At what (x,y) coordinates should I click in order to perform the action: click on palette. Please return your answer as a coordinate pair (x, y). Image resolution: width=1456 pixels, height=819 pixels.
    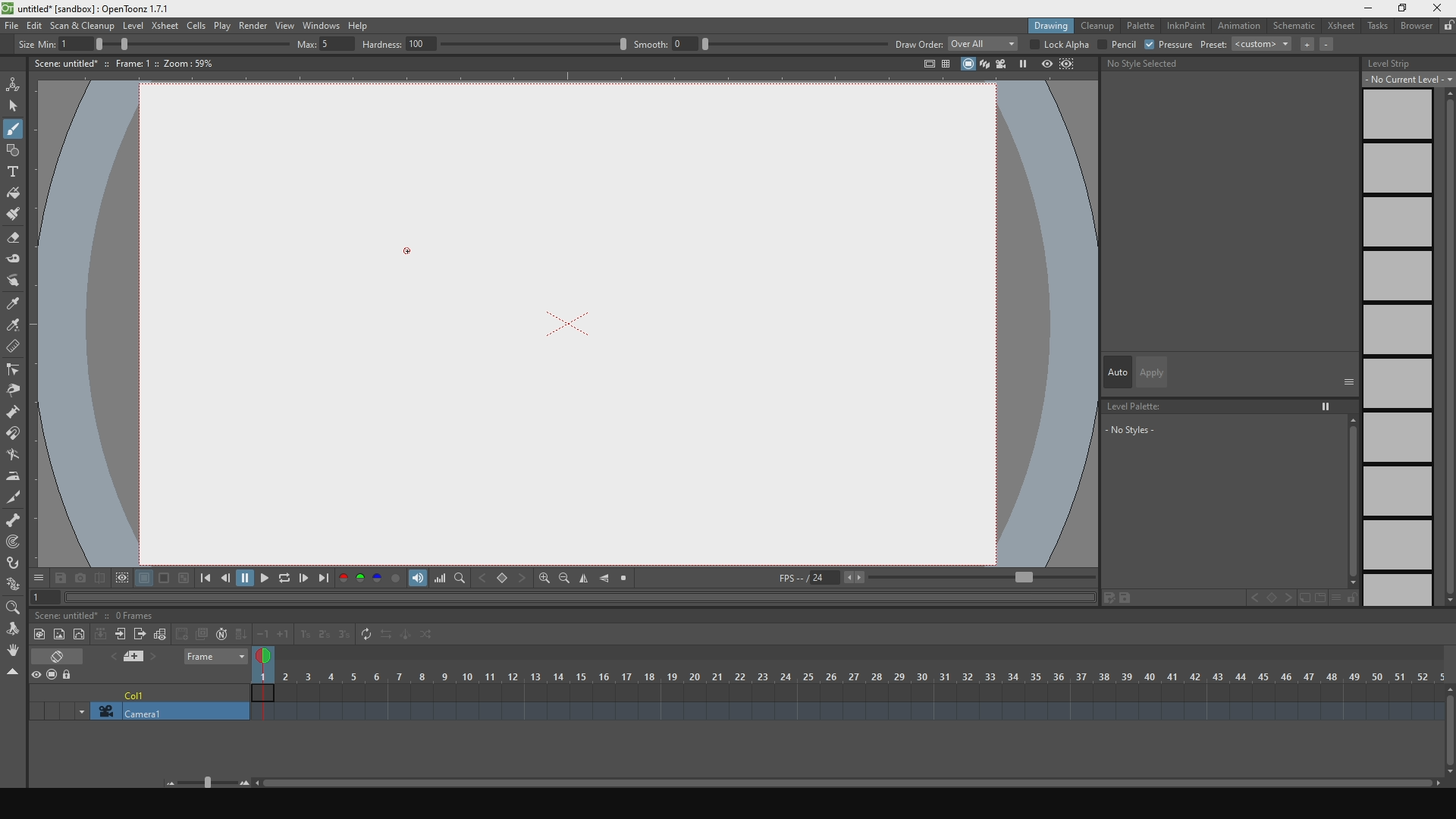
    Looking at the image, I should click on (1141, 27).